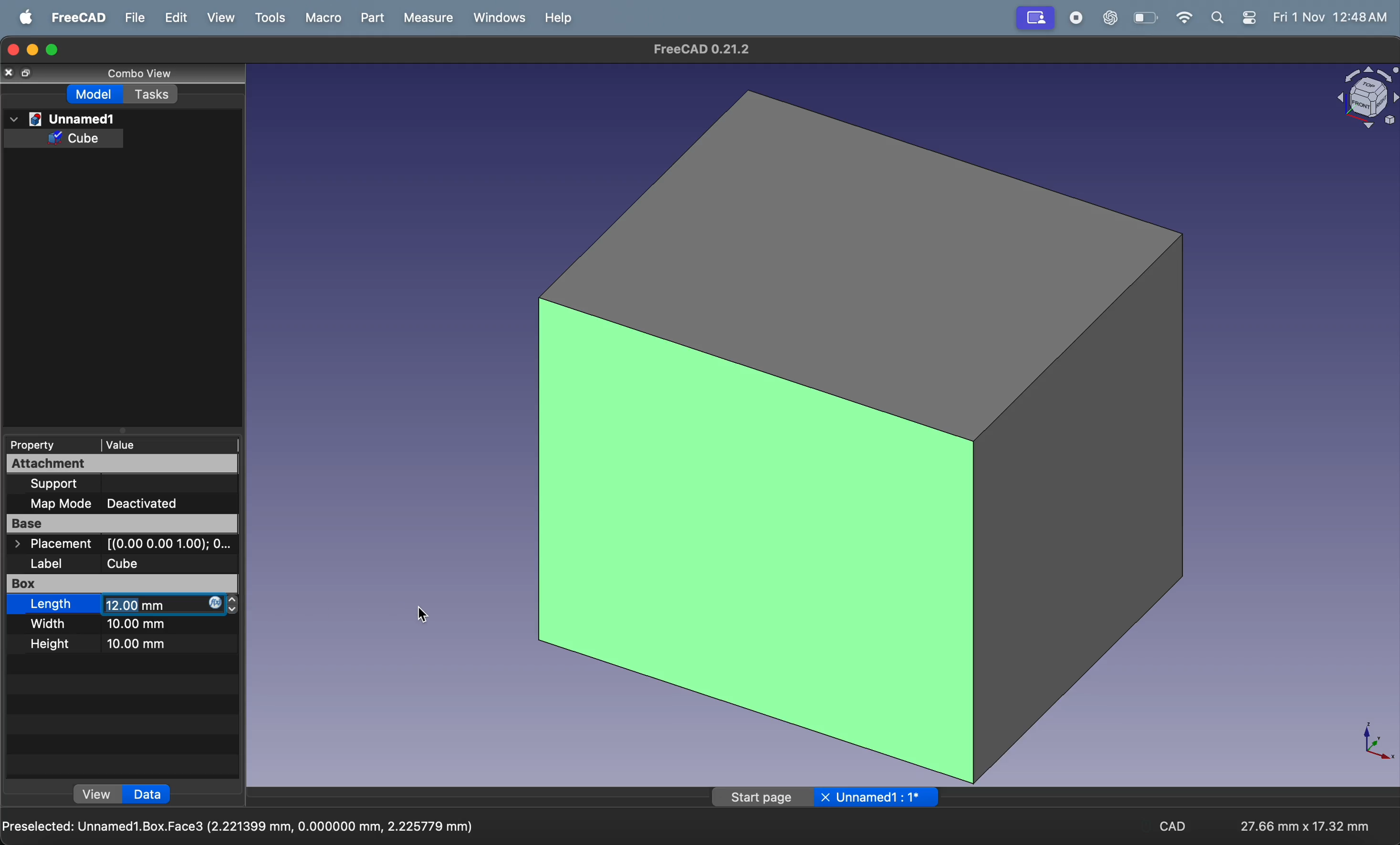  What do you see at coordinates (881, 797) in the screenshot?
I see `Unnamed1: 1*` at bounding box center [881, 797].